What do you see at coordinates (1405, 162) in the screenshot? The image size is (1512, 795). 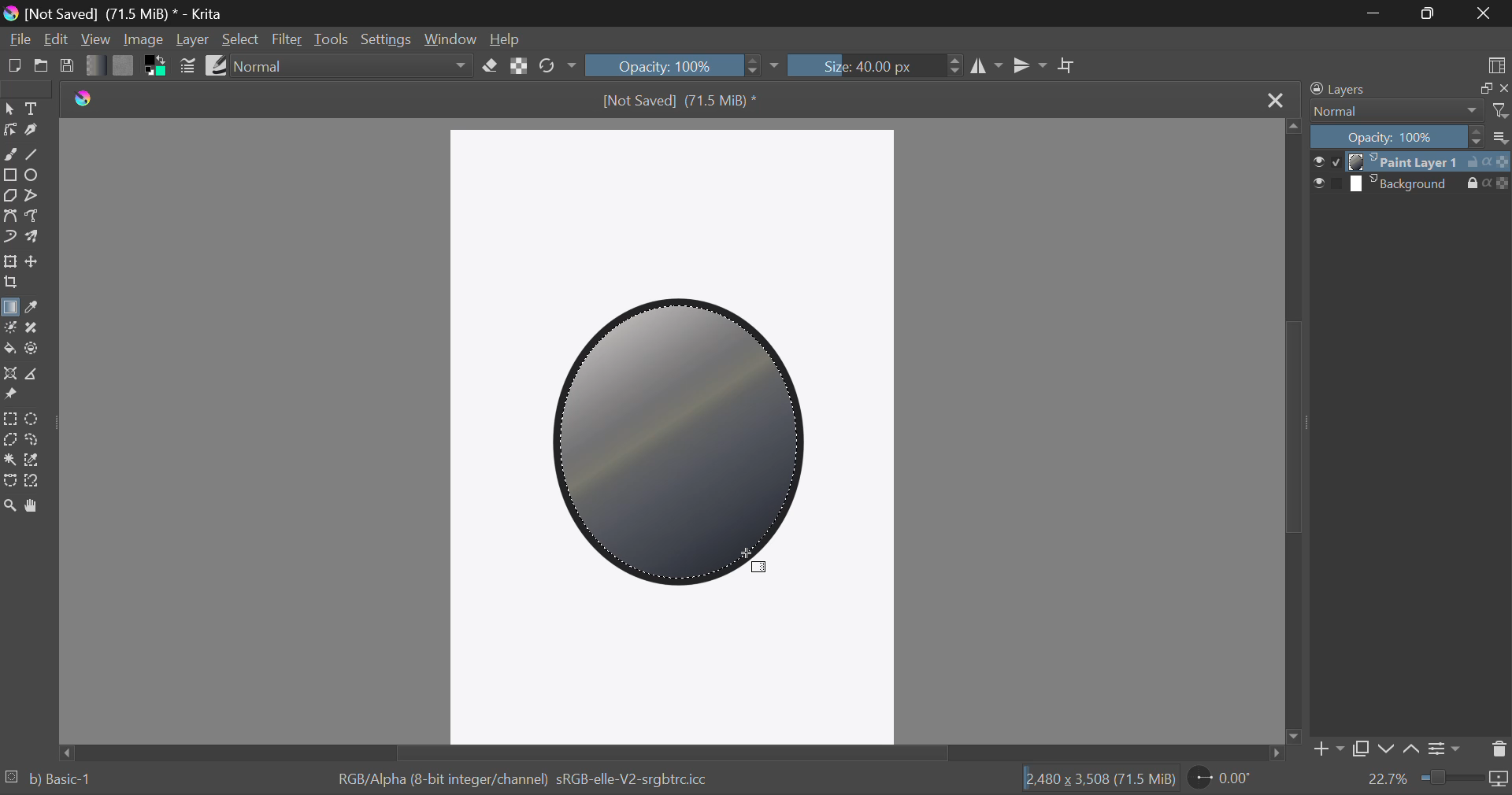 I see `layer 1` at bounding box center [1405, 162].